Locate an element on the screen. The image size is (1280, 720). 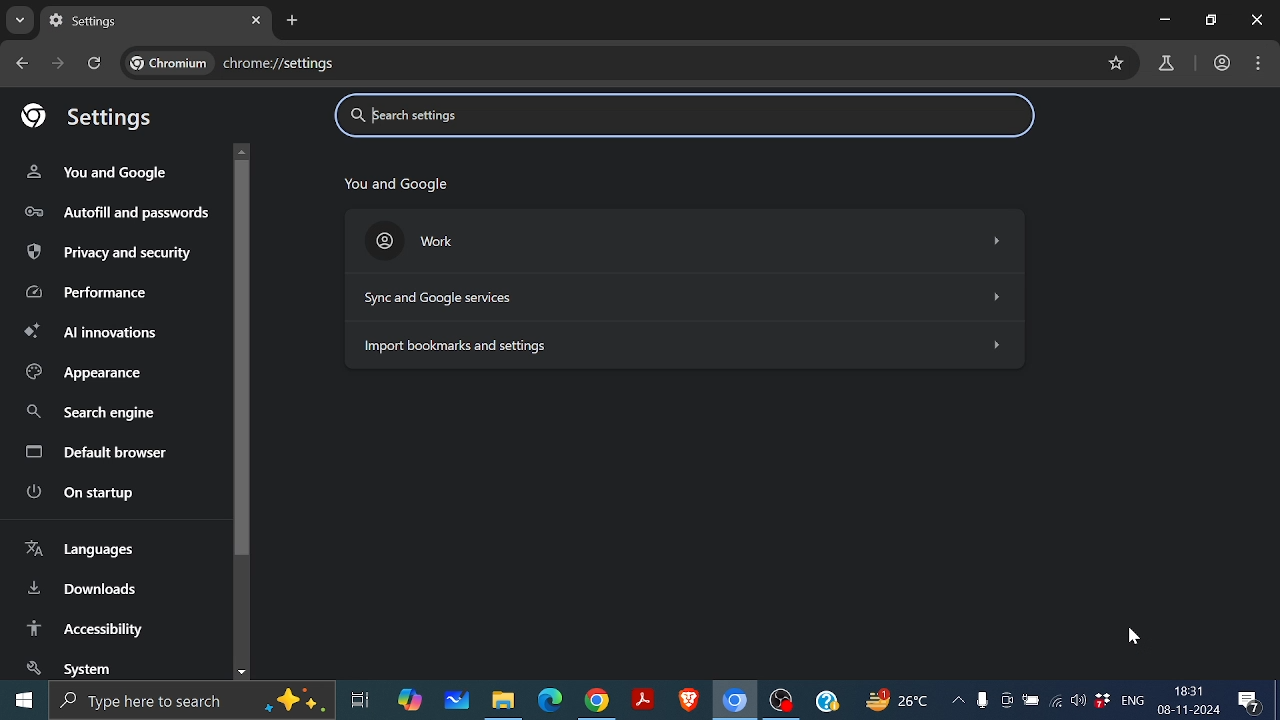
brave is located at coordinates (686, 701).